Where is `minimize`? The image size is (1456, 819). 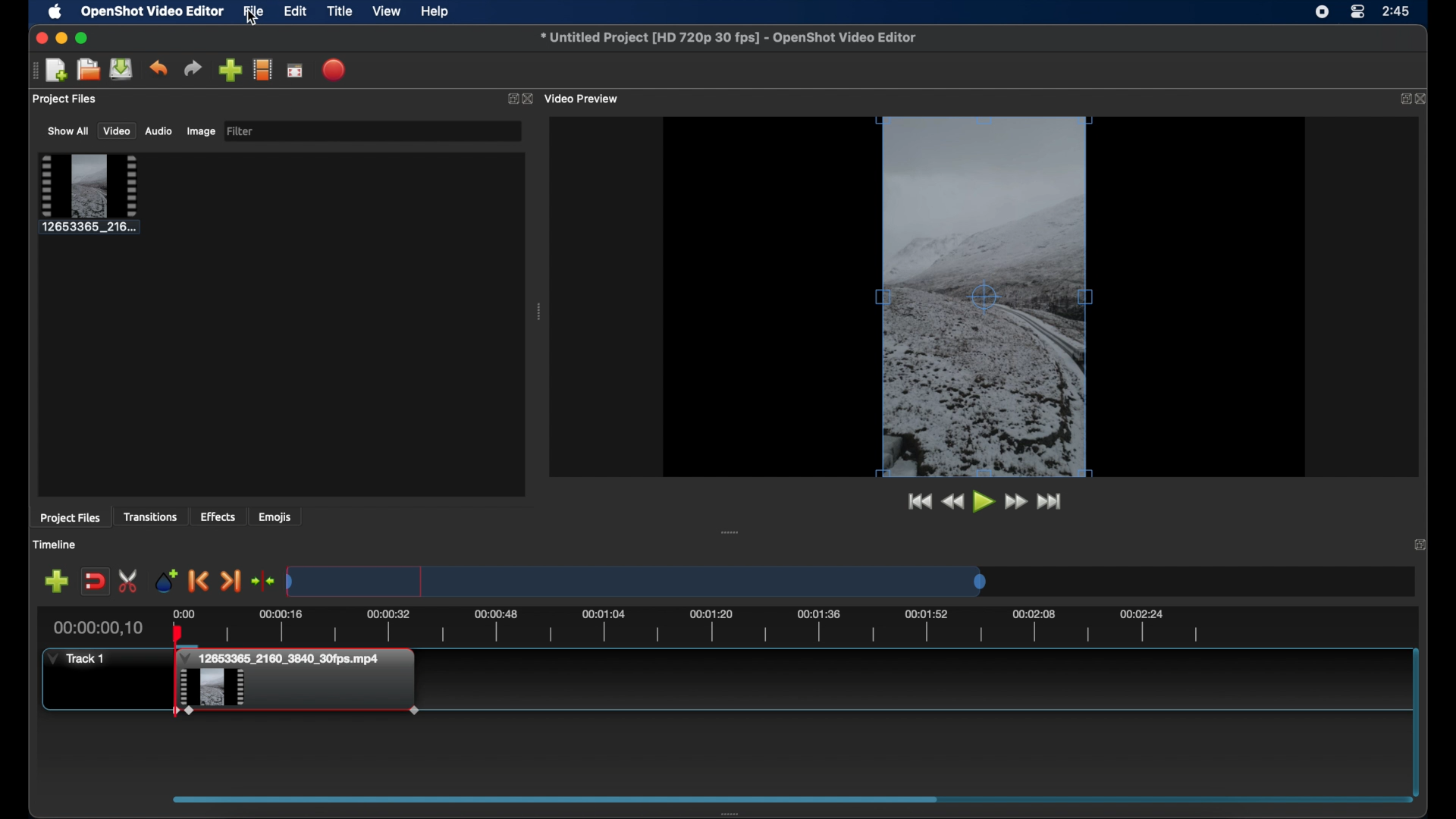 minimize is located at coordinates (61, 38).